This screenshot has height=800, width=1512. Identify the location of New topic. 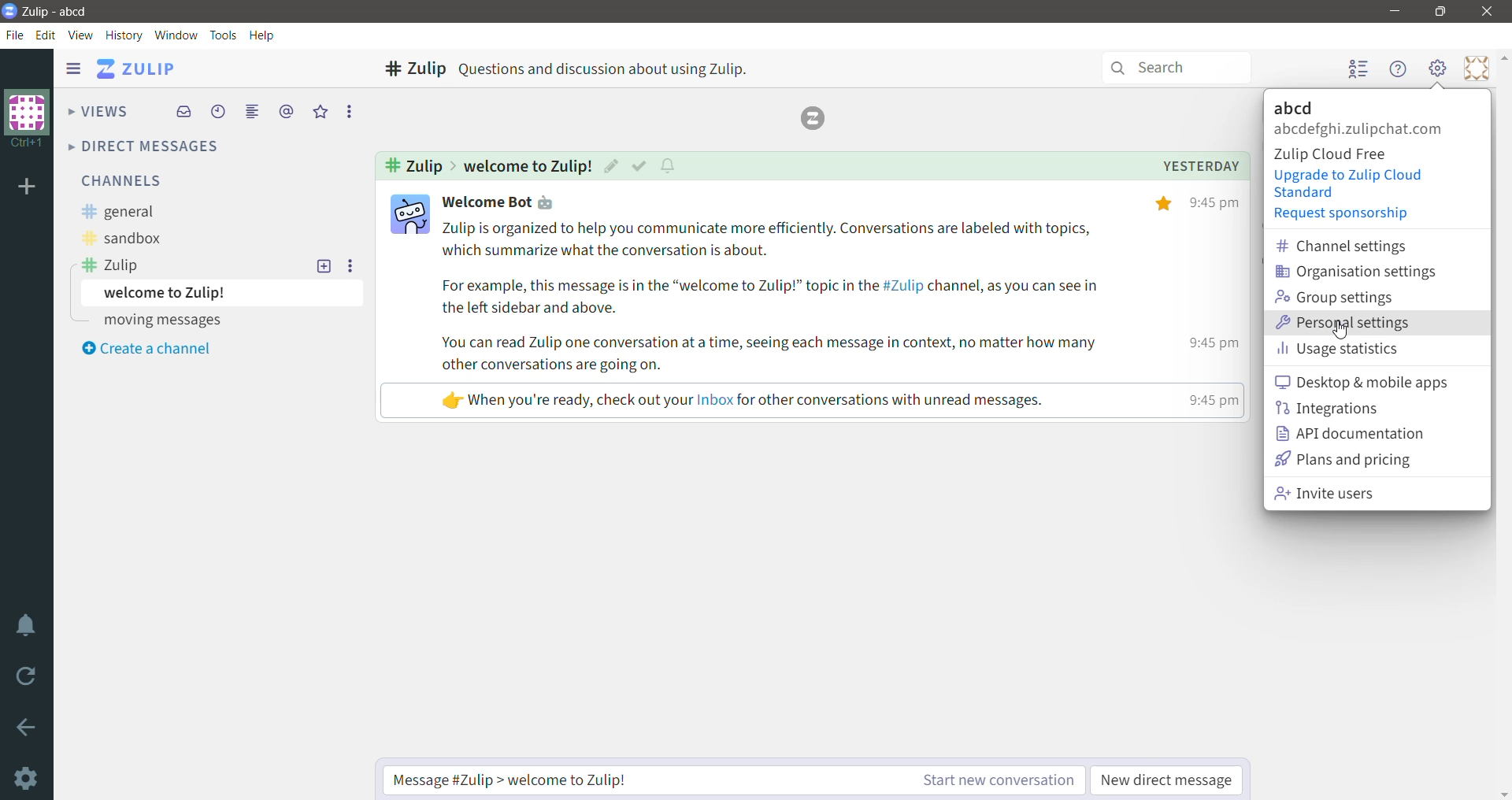
(324, 265).